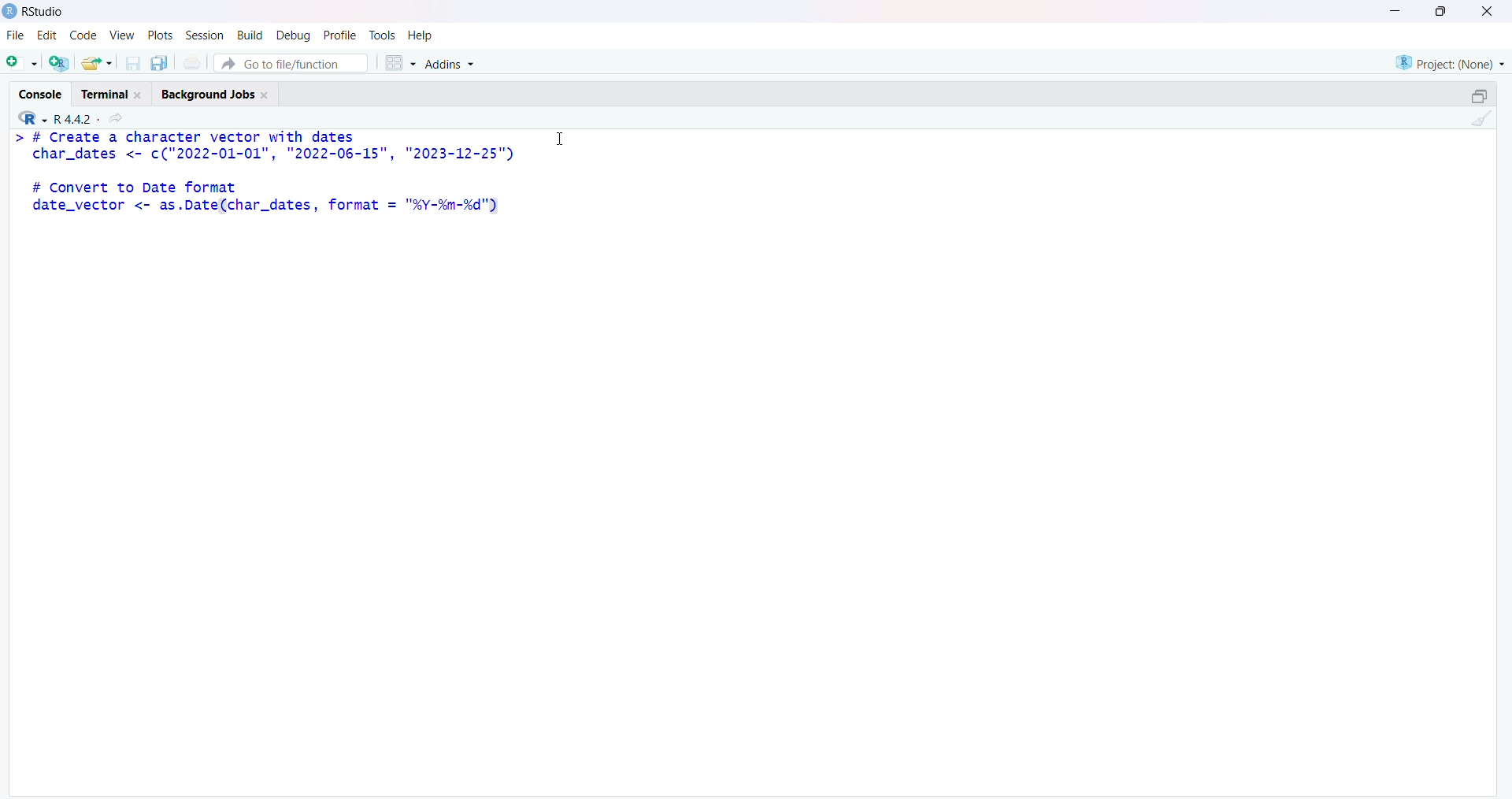  Describe the element at coordinates (202, 36) in the screenshot. I see `Session` at that location.